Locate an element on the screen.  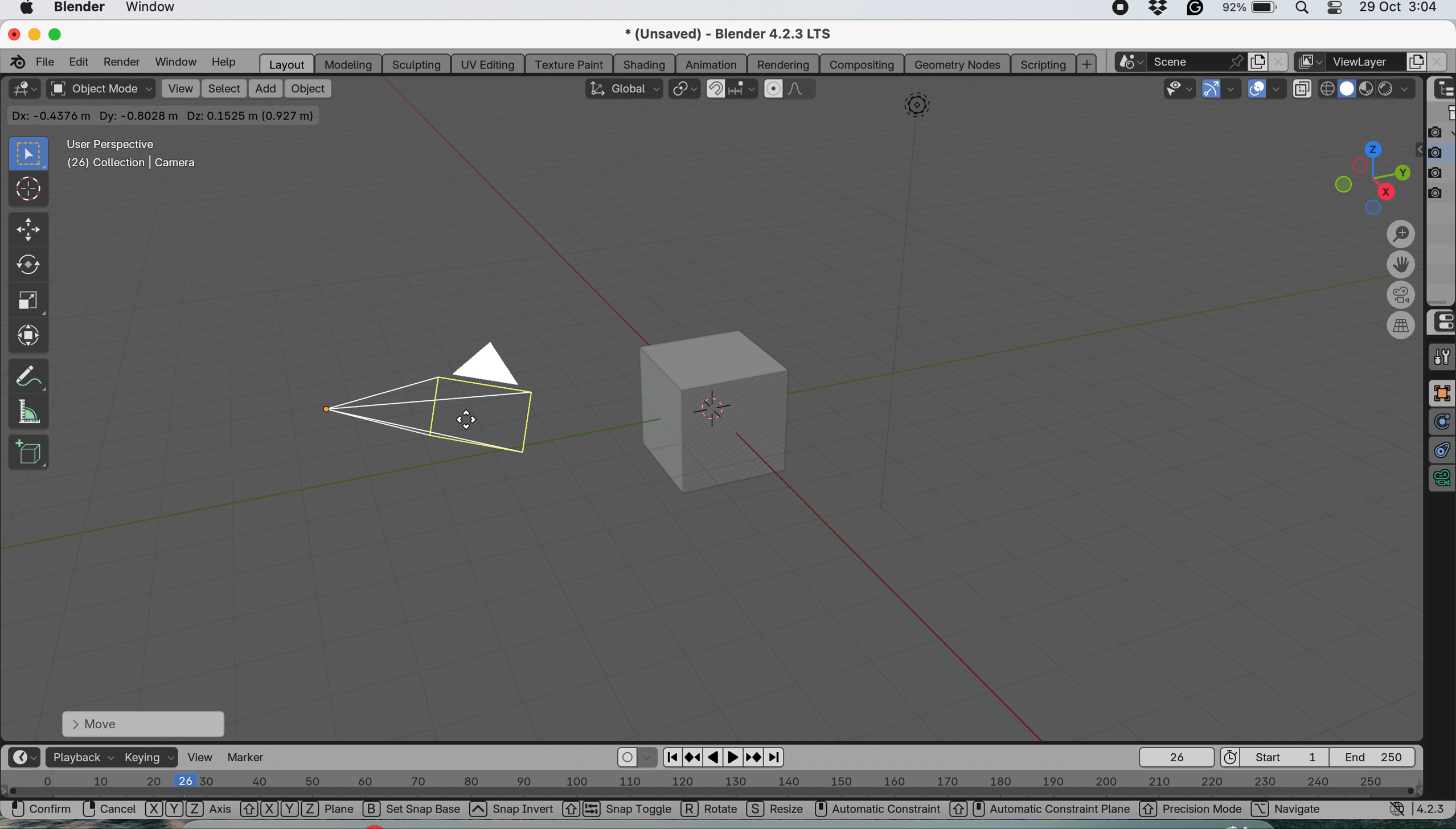
close is located at coordinates (1436, 63).